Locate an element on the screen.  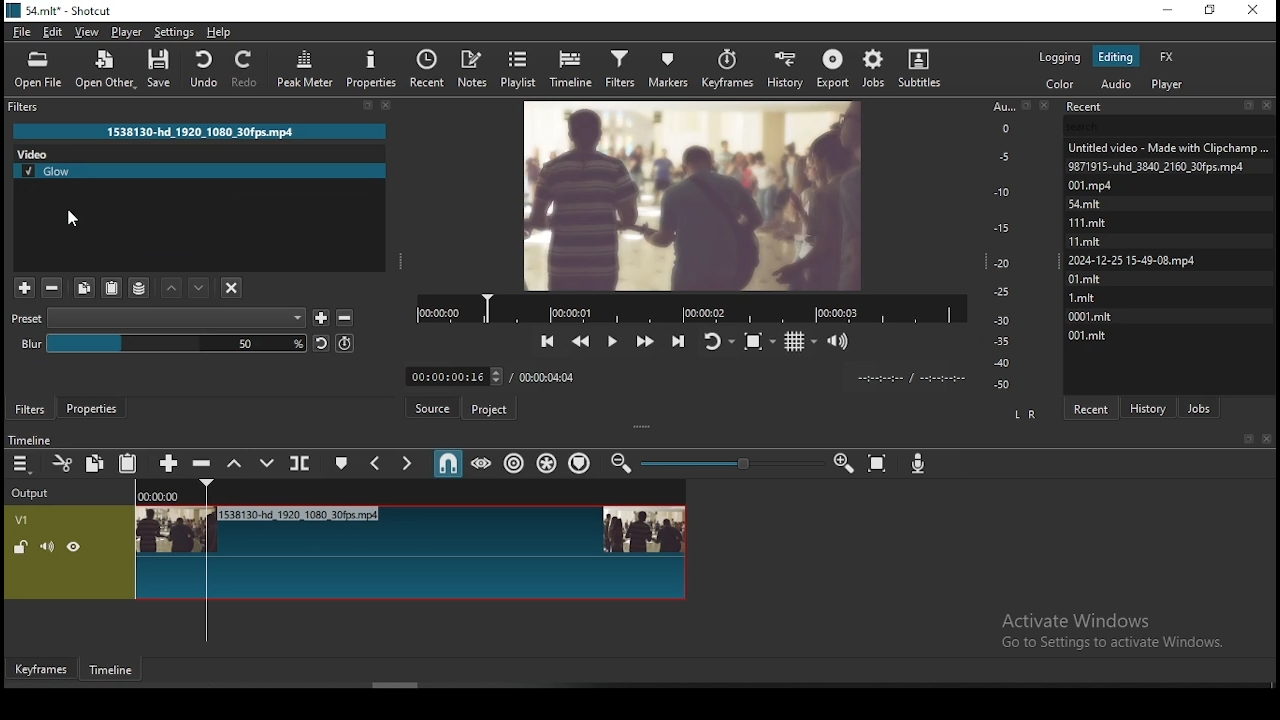
open file is located at coordinates (41, 69).